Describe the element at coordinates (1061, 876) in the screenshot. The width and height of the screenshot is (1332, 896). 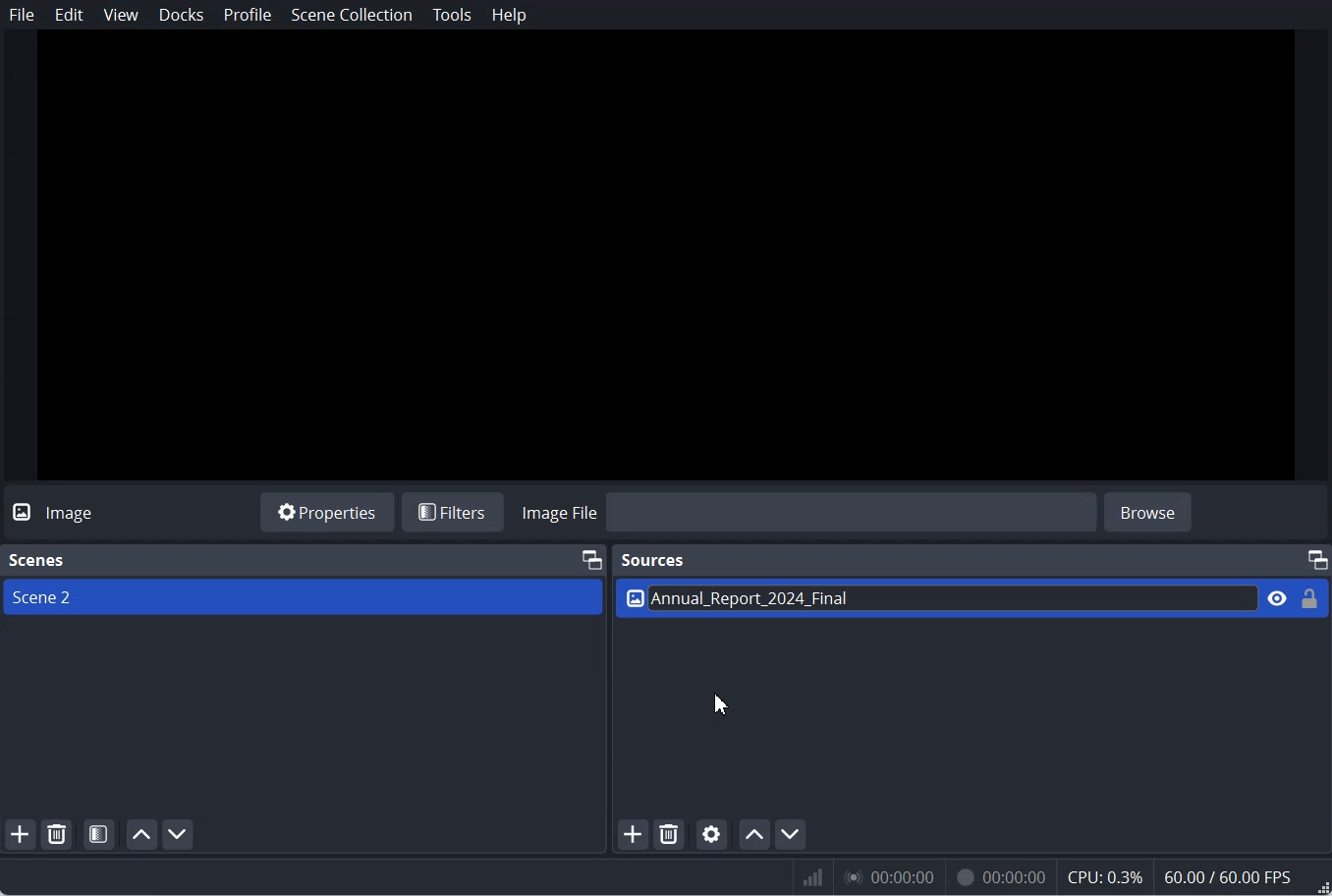
I see `Numeric results` at that location.